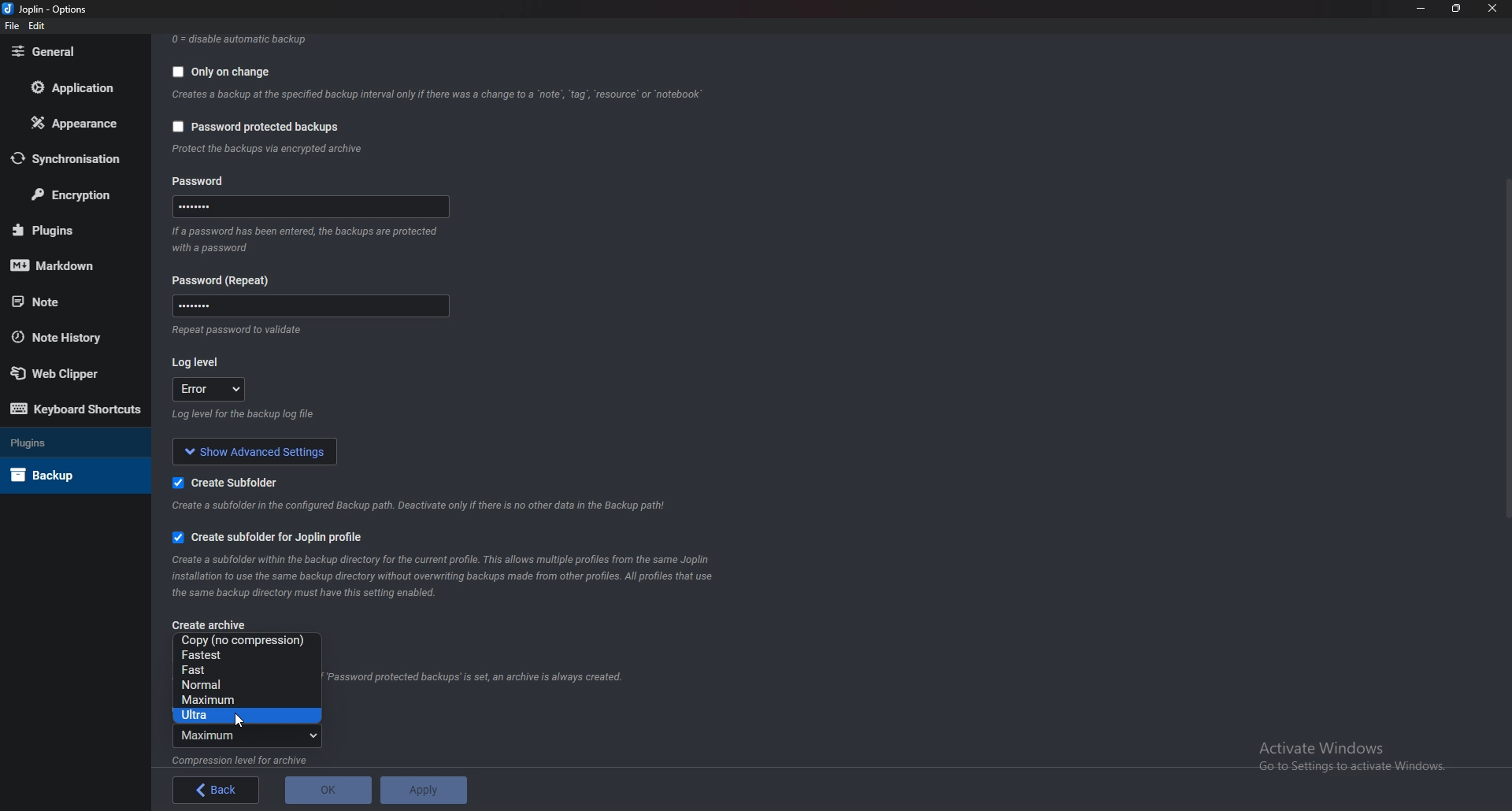  I want to click on Info on password, so click(308, 243).